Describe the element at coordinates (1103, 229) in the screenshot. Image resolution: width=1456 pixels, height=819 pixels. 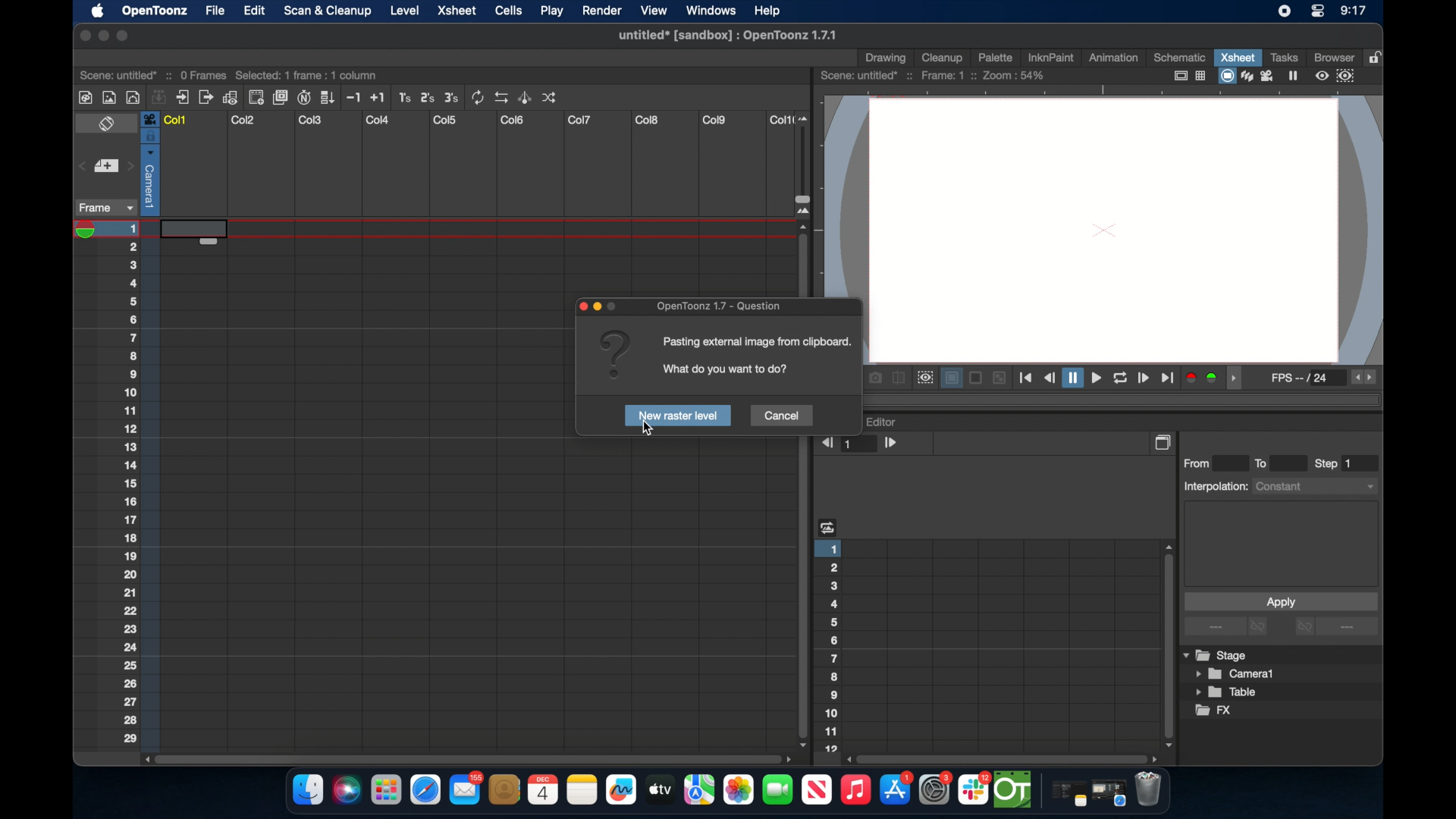
I see `canvas` at that location.